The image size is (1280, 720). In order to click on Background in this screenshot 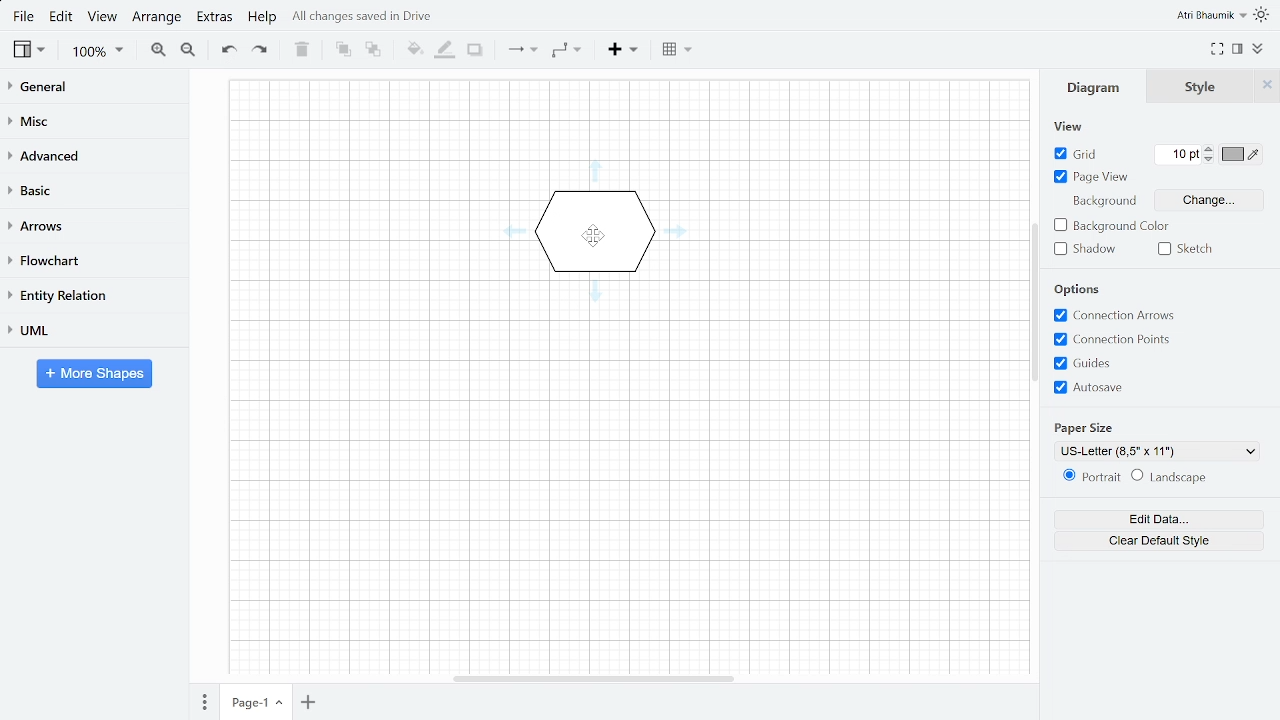, I will do `click(1104, 201)`.